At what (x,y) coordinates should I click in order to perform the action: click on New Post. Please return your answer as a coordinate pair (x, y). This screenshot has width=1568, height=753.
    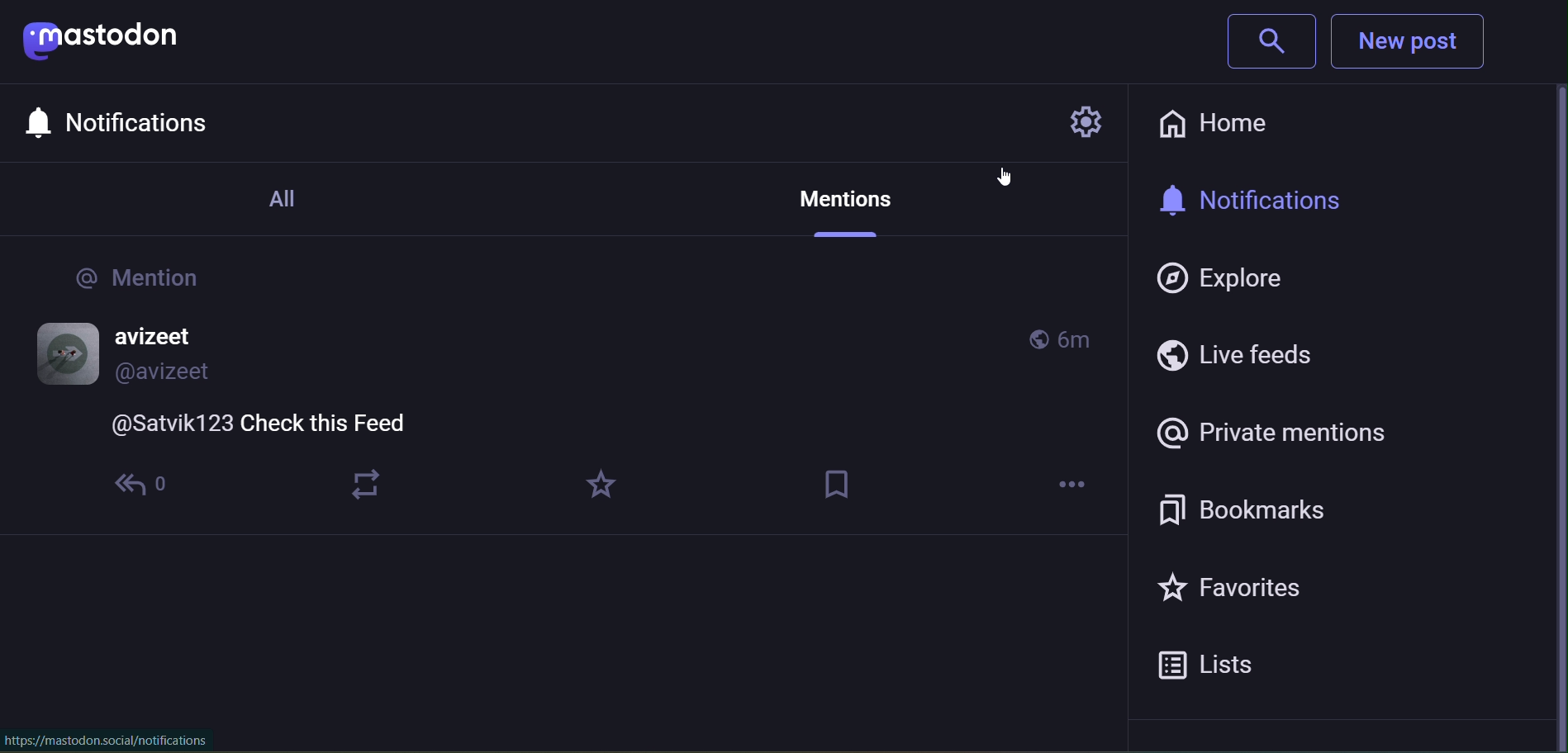
    Looking at the image, I should click on (1413, 44).